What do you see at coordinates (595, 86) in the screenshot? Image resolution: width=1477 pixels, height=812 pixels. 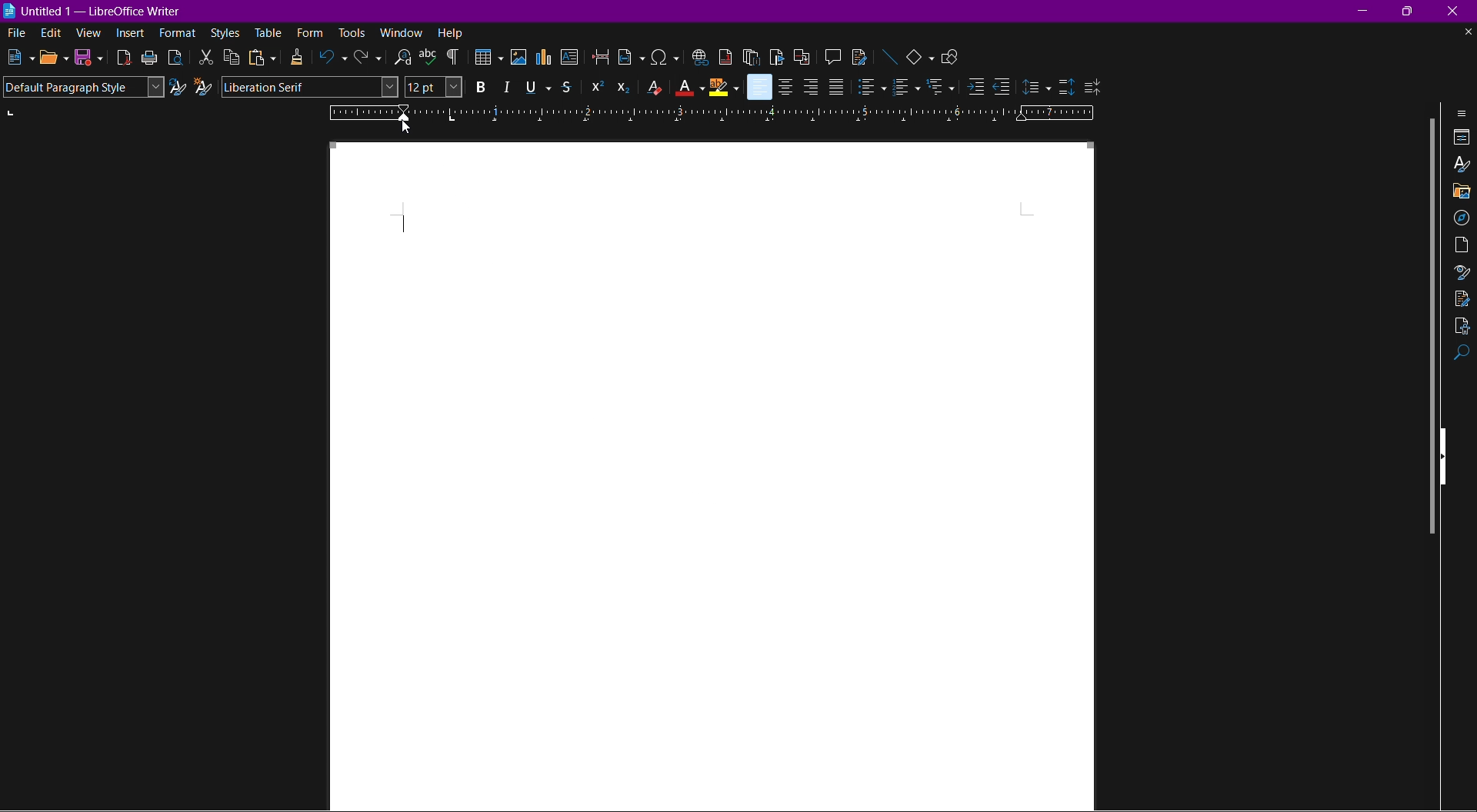 I see `Superscript` at bounding box center [595, 86].